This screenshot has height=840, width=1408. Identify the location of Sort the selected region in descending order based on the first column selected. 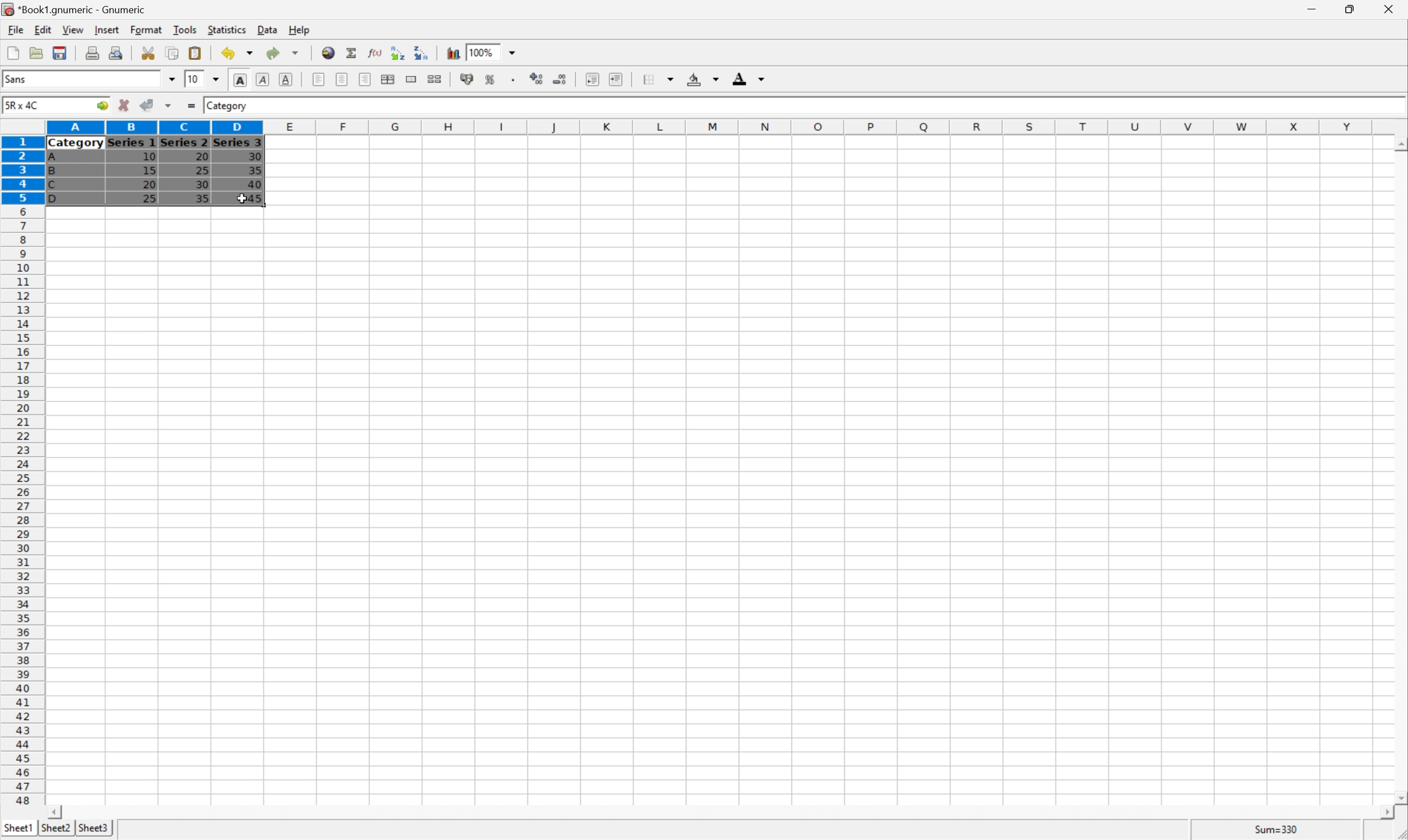
(420, 52).